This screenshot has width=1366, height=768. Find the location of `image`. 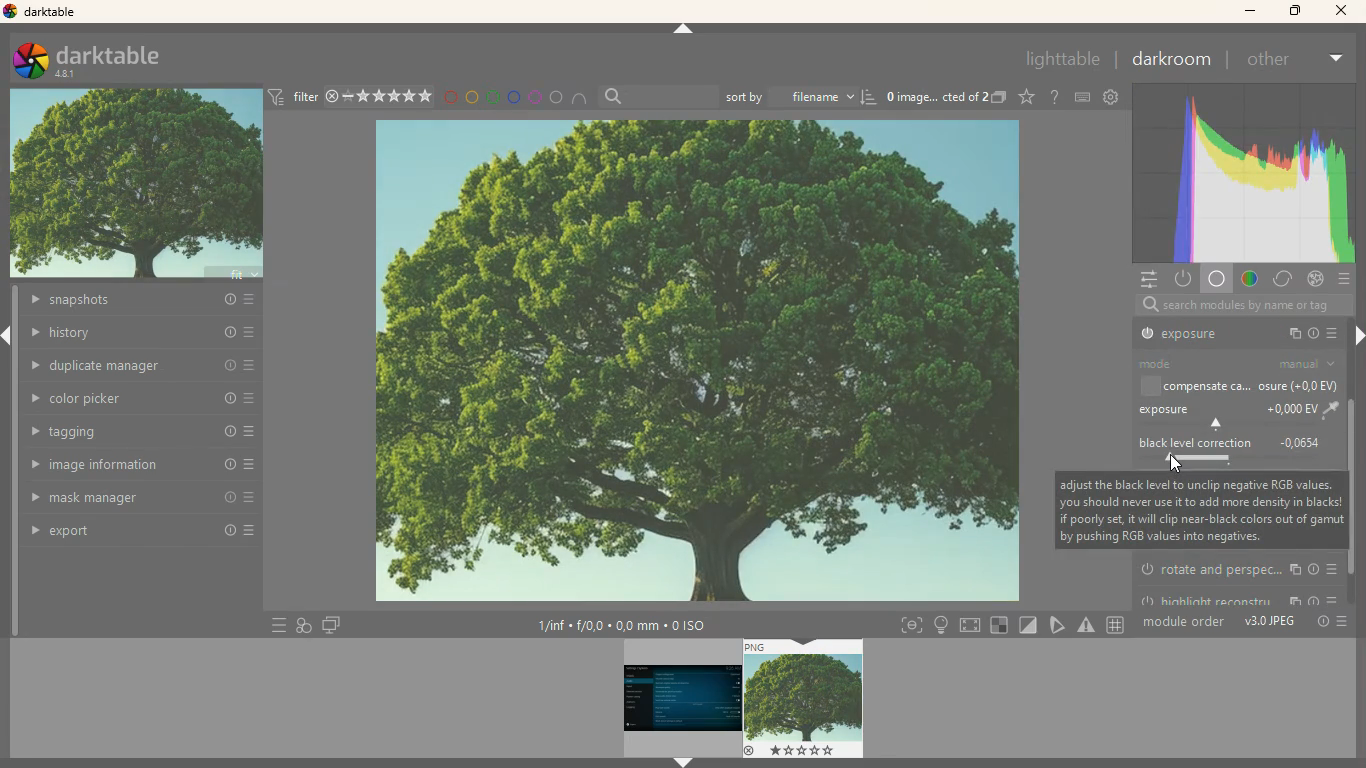

image is located at coordinates (803, 697).